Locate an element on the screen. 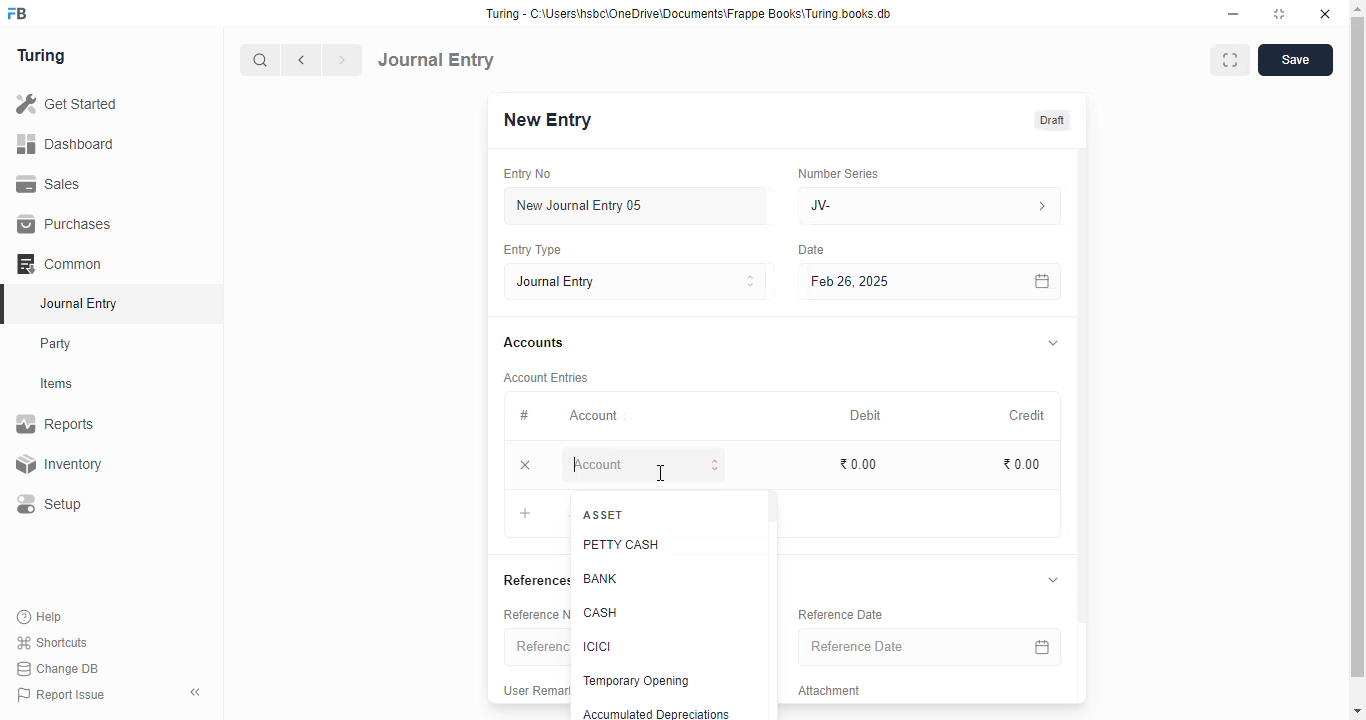  draft is located at coordinates (1050, 120).